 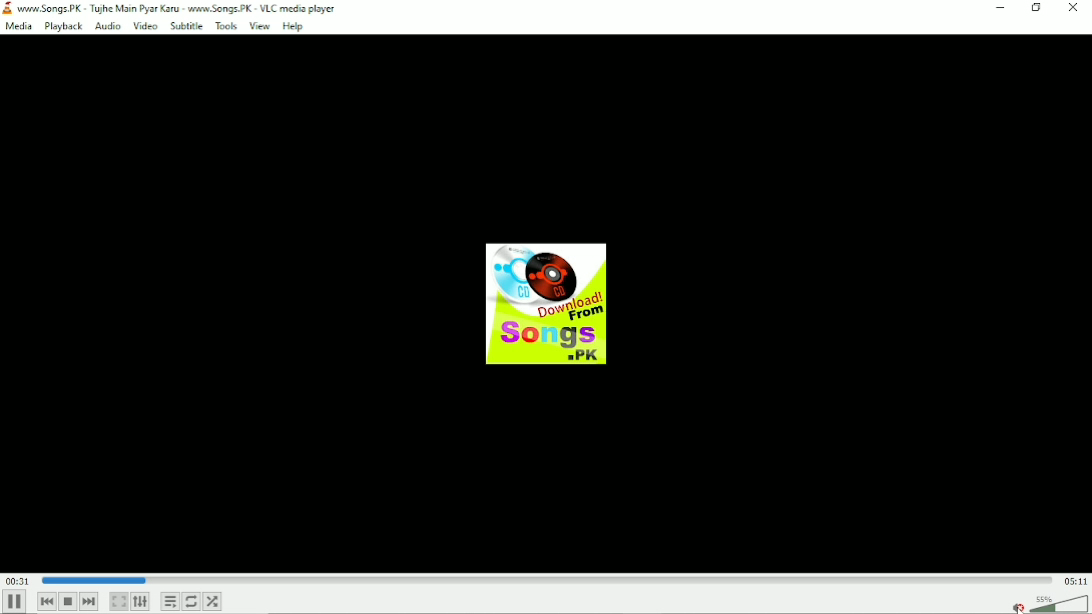 I want to click on Toggle between loop all, loop one and no loop, so click(x=191, y=601).